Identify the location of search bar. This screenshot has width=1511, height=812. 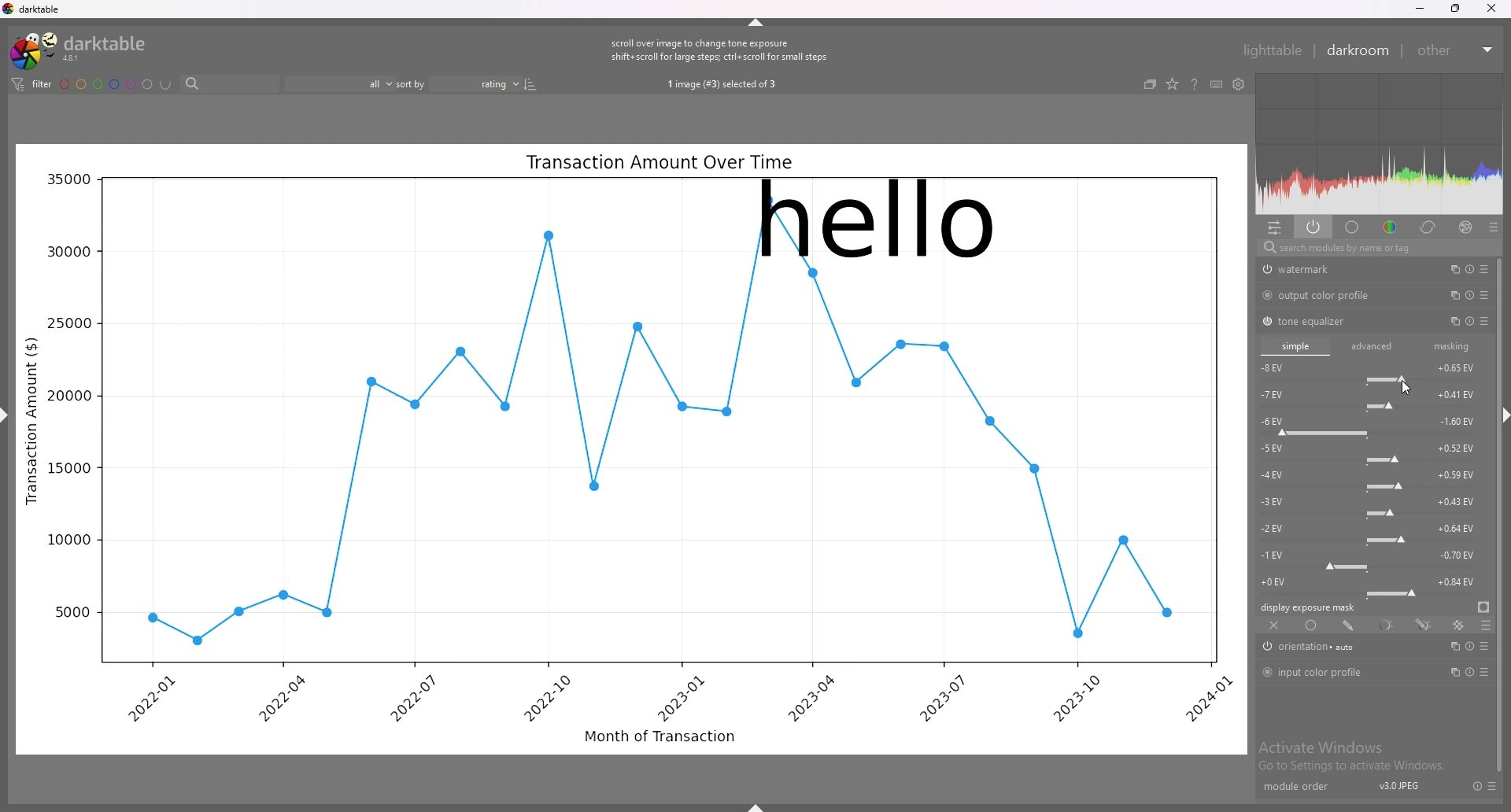
(231, 84).